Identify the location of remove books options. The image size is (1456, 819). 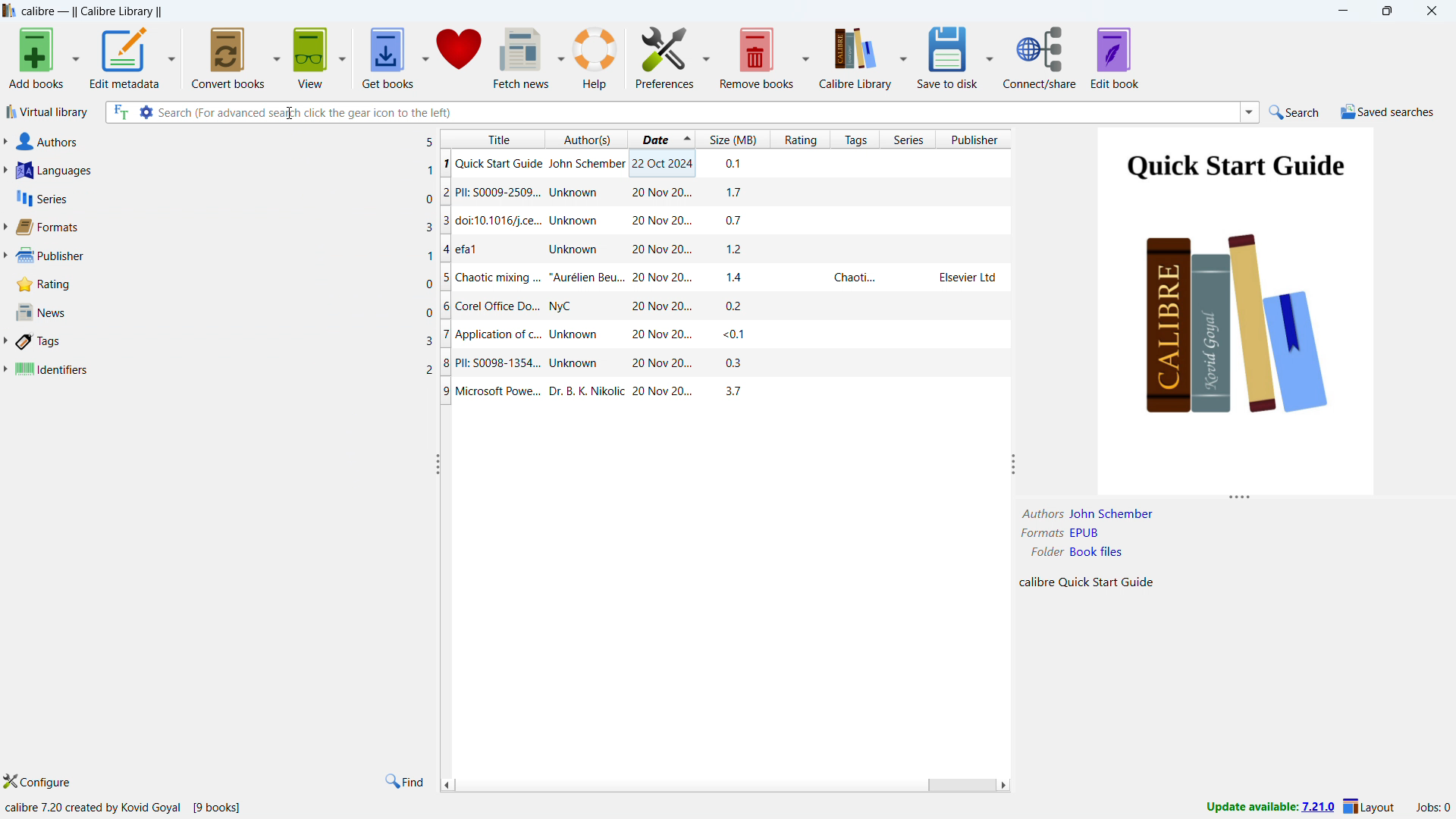
(807, 57).